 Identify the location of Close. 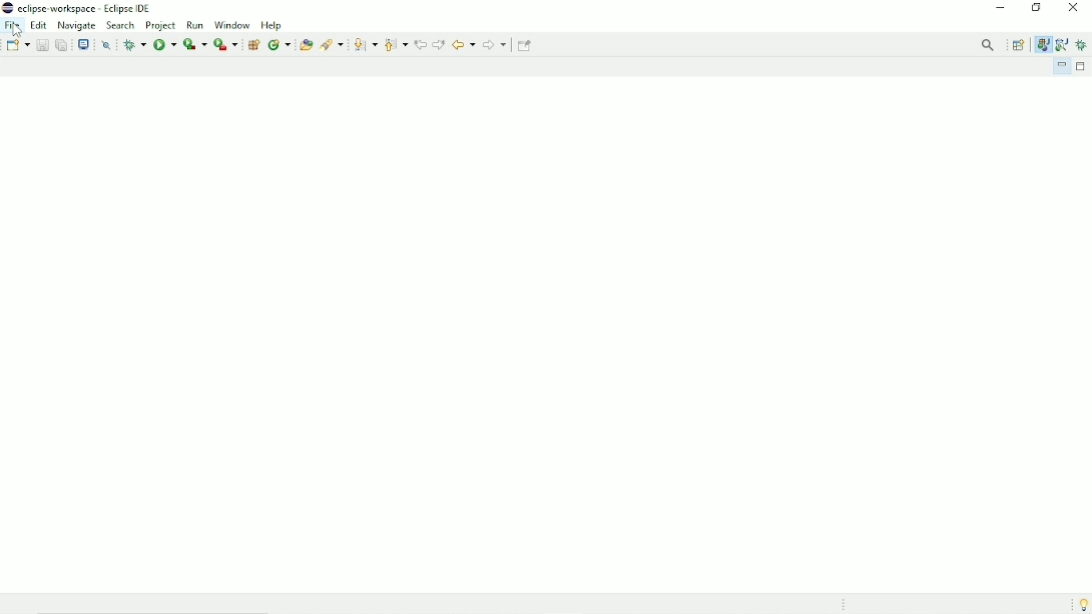
(1070, 9).